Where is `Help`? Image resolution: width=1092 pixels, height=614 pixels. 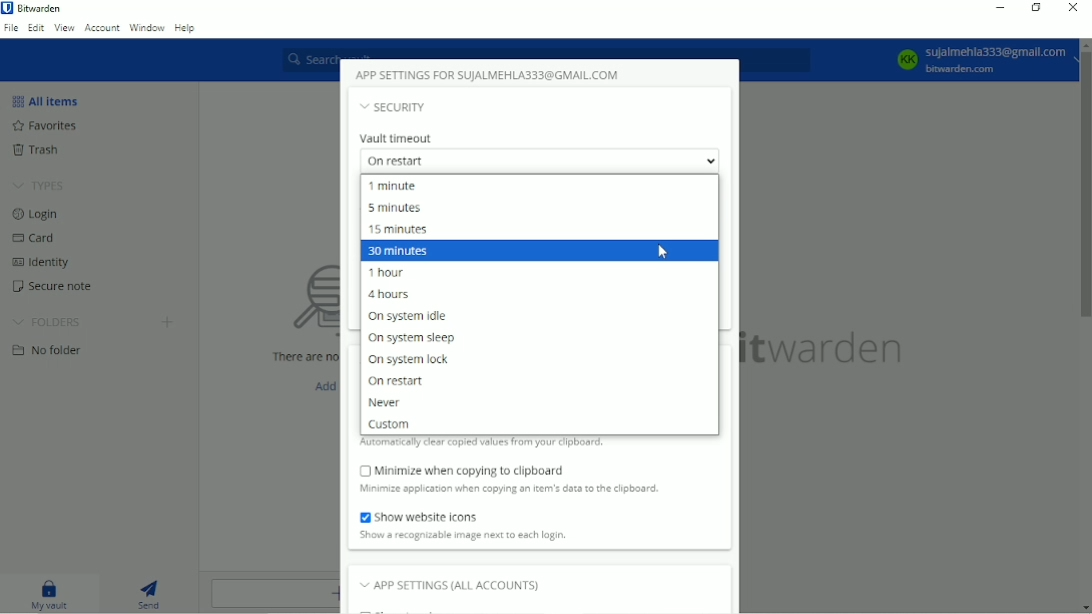
Help is located at coordinates (186, 27).